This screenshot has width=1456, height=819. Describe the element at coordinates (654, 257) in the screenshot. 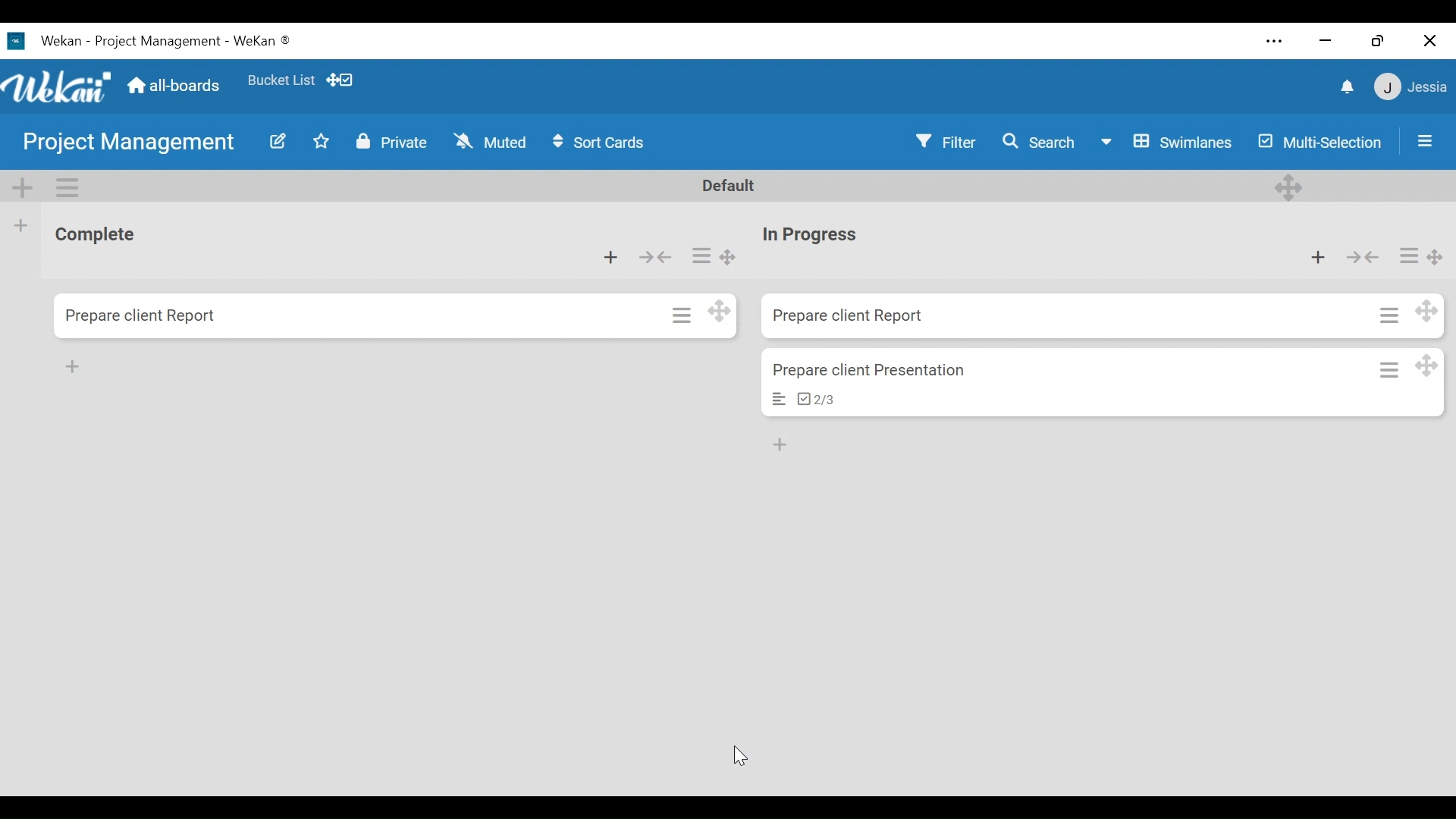

I see `Collapse` at that location.